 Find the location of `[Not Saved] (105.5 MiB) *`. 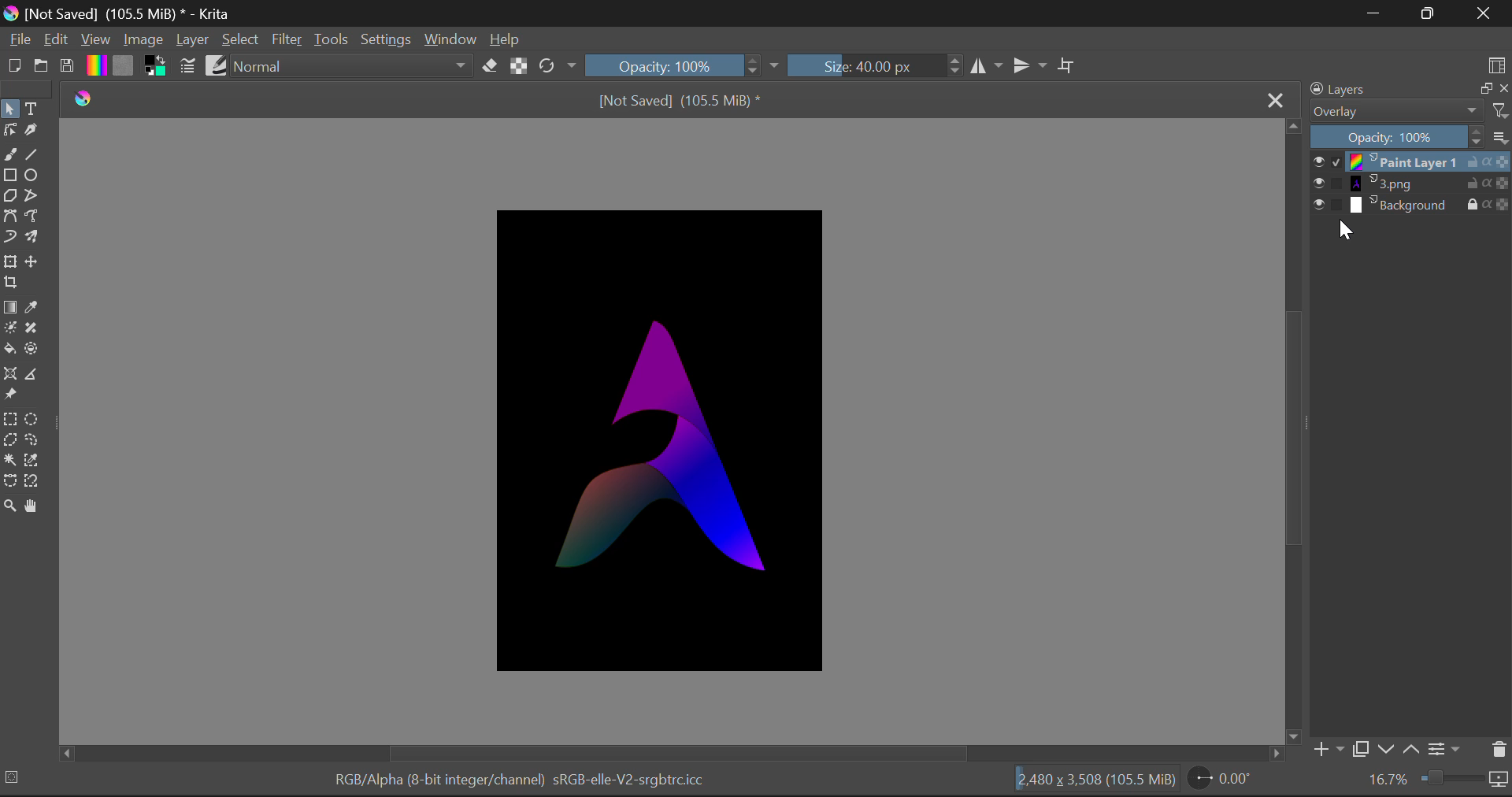

[Not Saved] (105.5 MiB) * is located at coordinates (679, 99).